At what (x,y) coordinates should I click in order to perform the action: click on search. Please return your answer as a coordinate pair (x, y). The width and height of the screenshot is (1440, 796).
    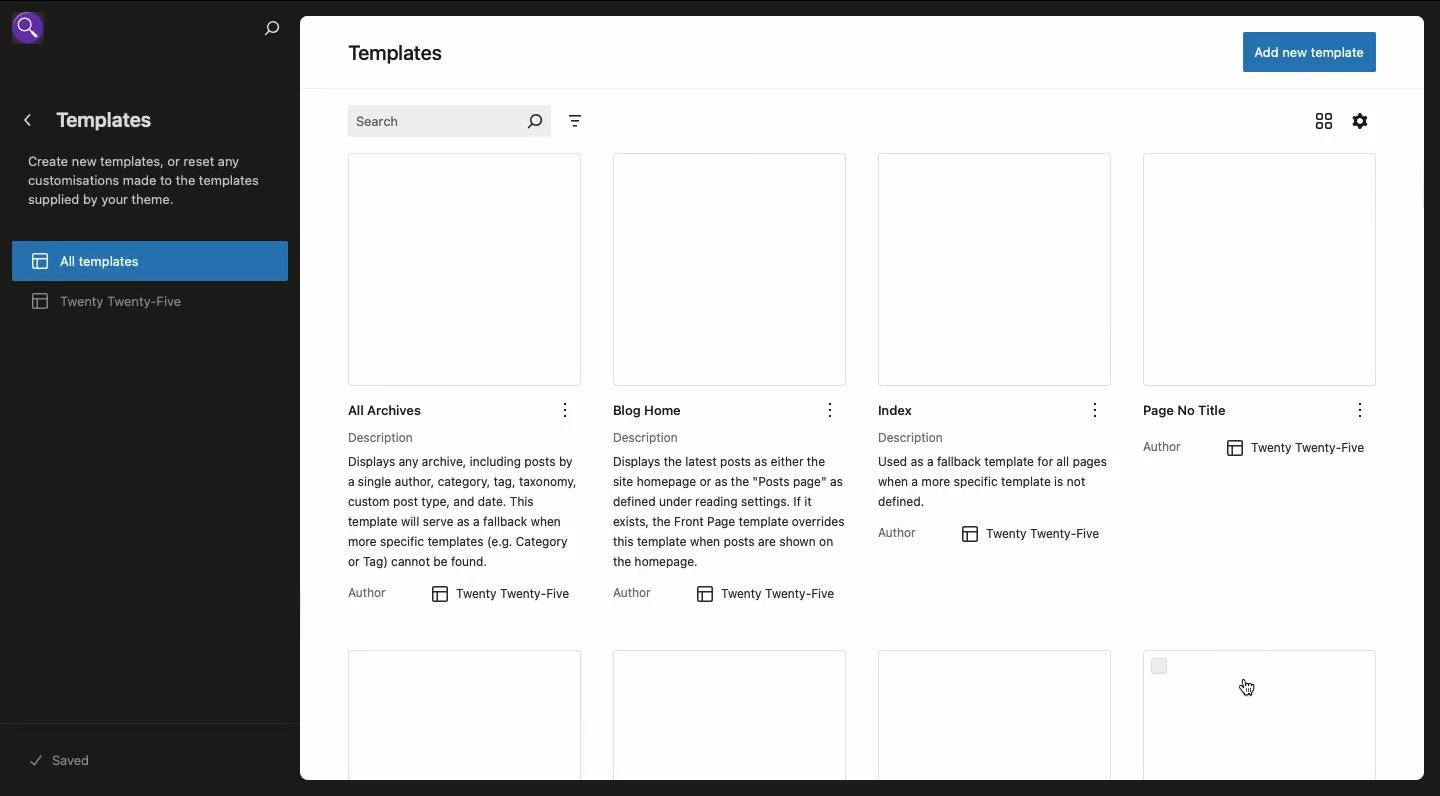
    Looking at the image, I should click on (268, 32).